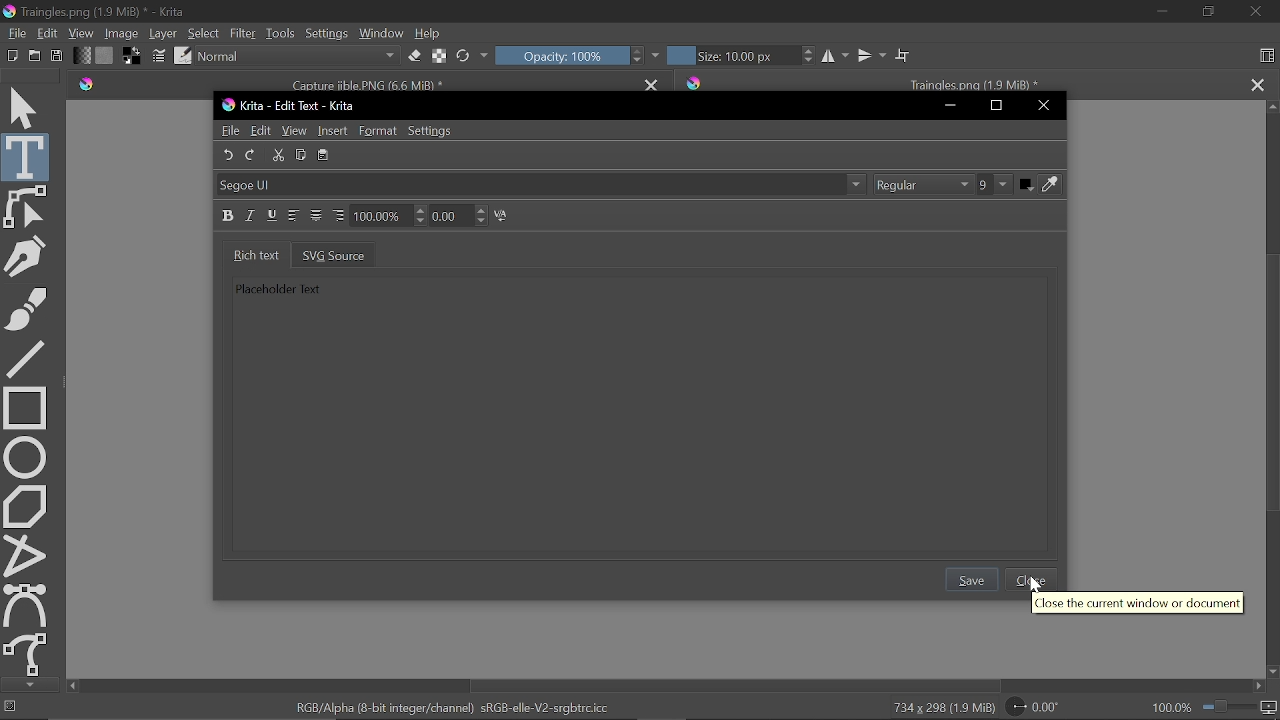 This screenshot has width=1280, height=720. I want to click on Bezier curve tool, so click(27, 605).